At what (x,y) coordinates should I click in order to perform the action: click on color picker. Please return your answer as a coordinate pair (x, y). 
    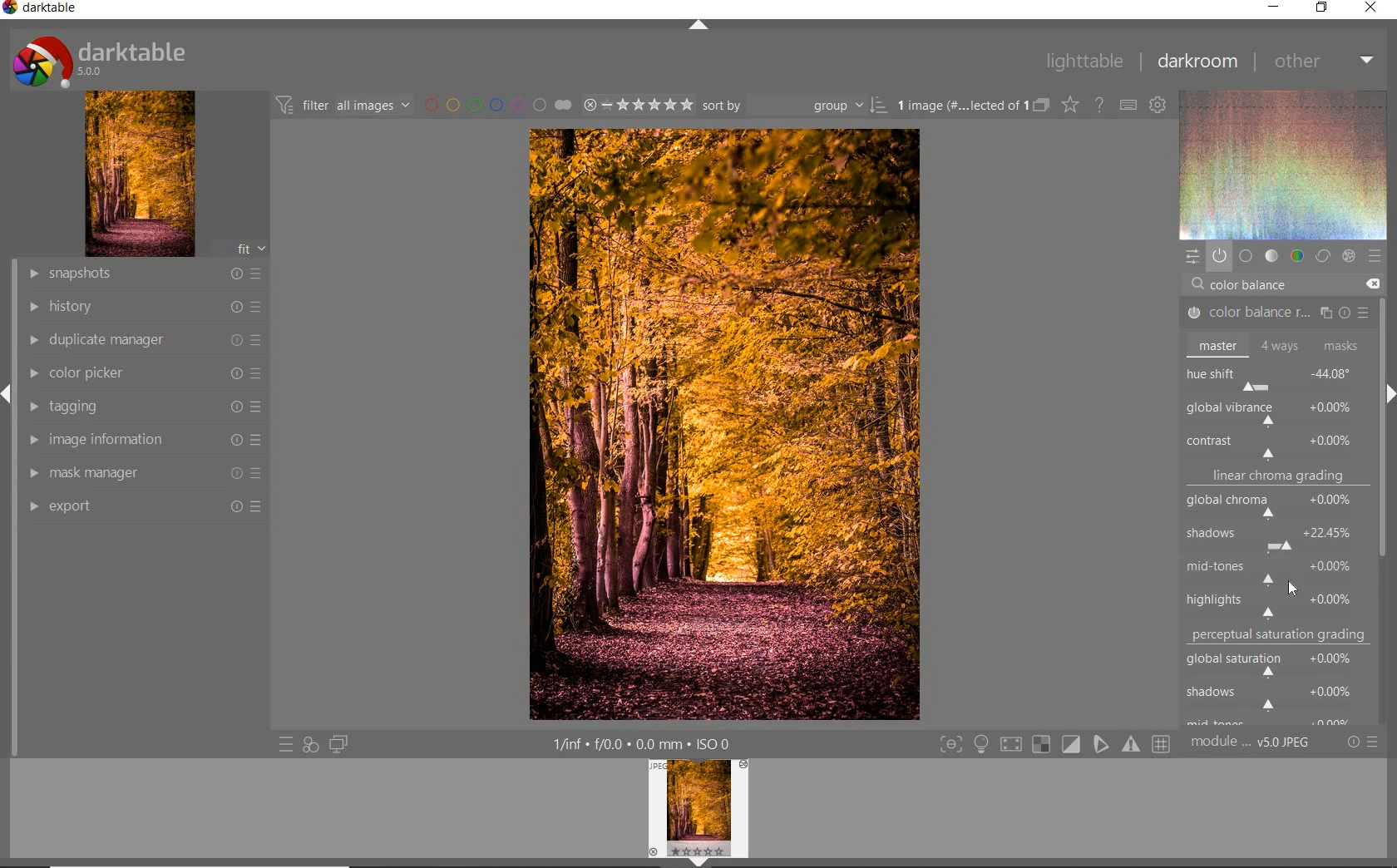
    Looking at the image, I should click on (144, 374).